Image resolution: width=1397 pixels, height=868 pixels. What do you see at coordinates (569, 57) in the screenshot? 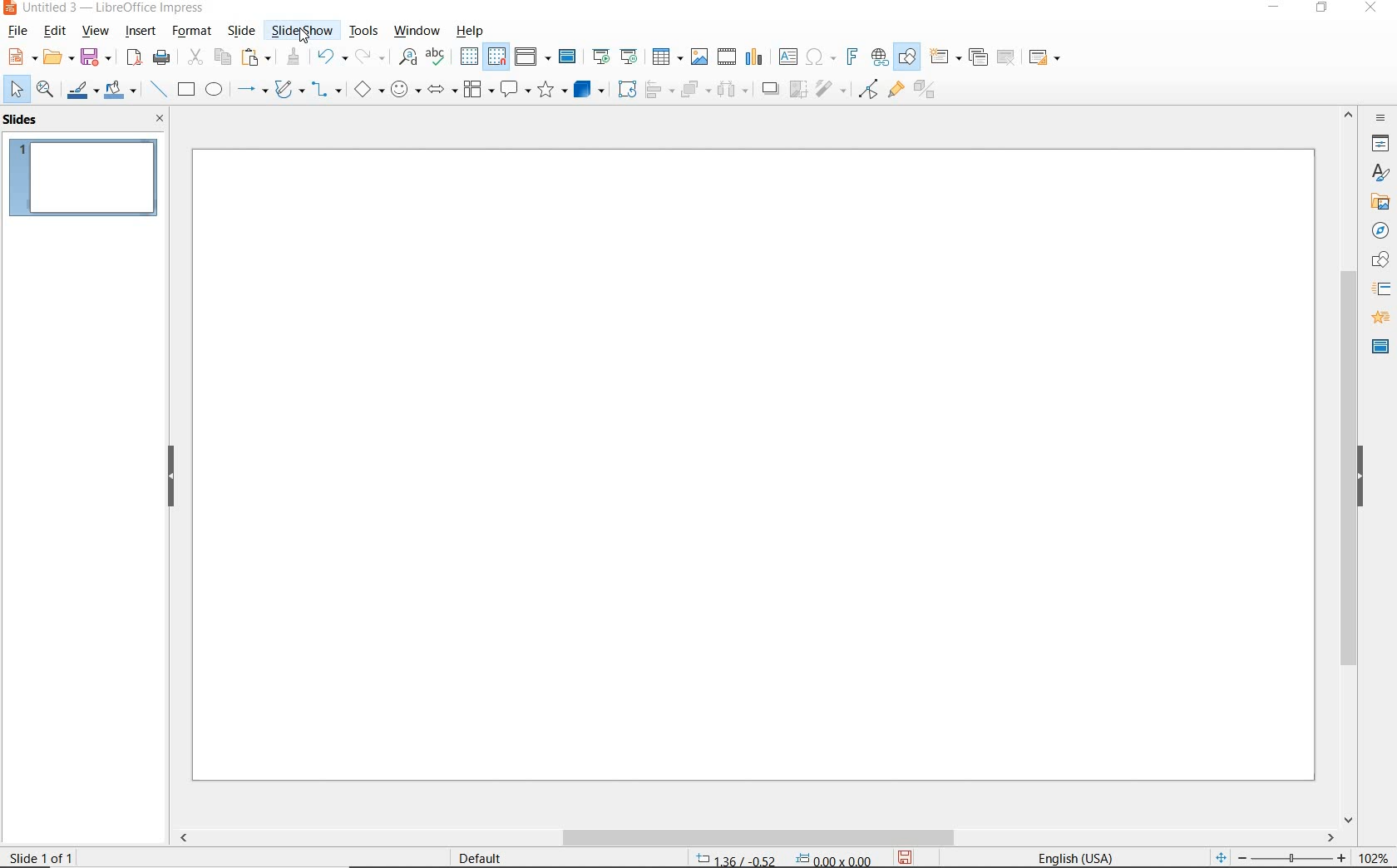
I see `MASTER SLIDE` at bounding box center [569, 57].